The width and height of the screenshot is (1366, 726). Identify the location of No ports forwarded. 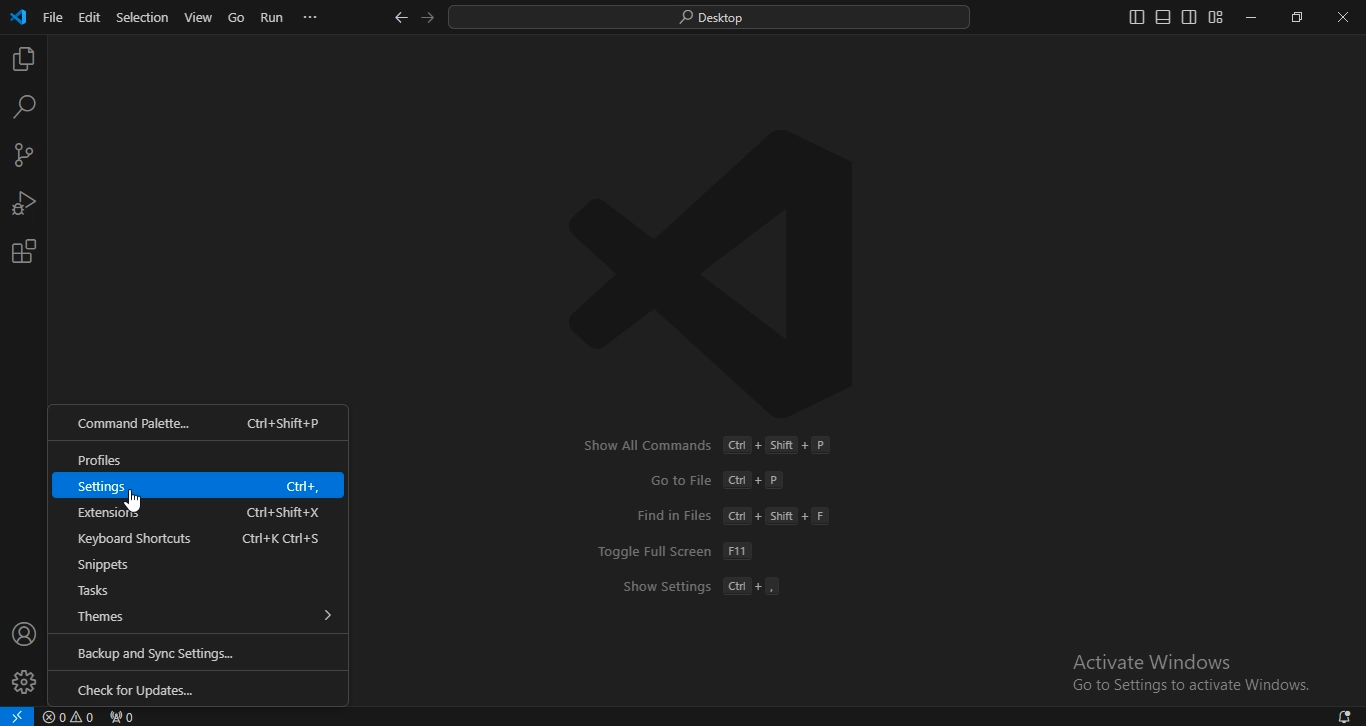
(126, 715).